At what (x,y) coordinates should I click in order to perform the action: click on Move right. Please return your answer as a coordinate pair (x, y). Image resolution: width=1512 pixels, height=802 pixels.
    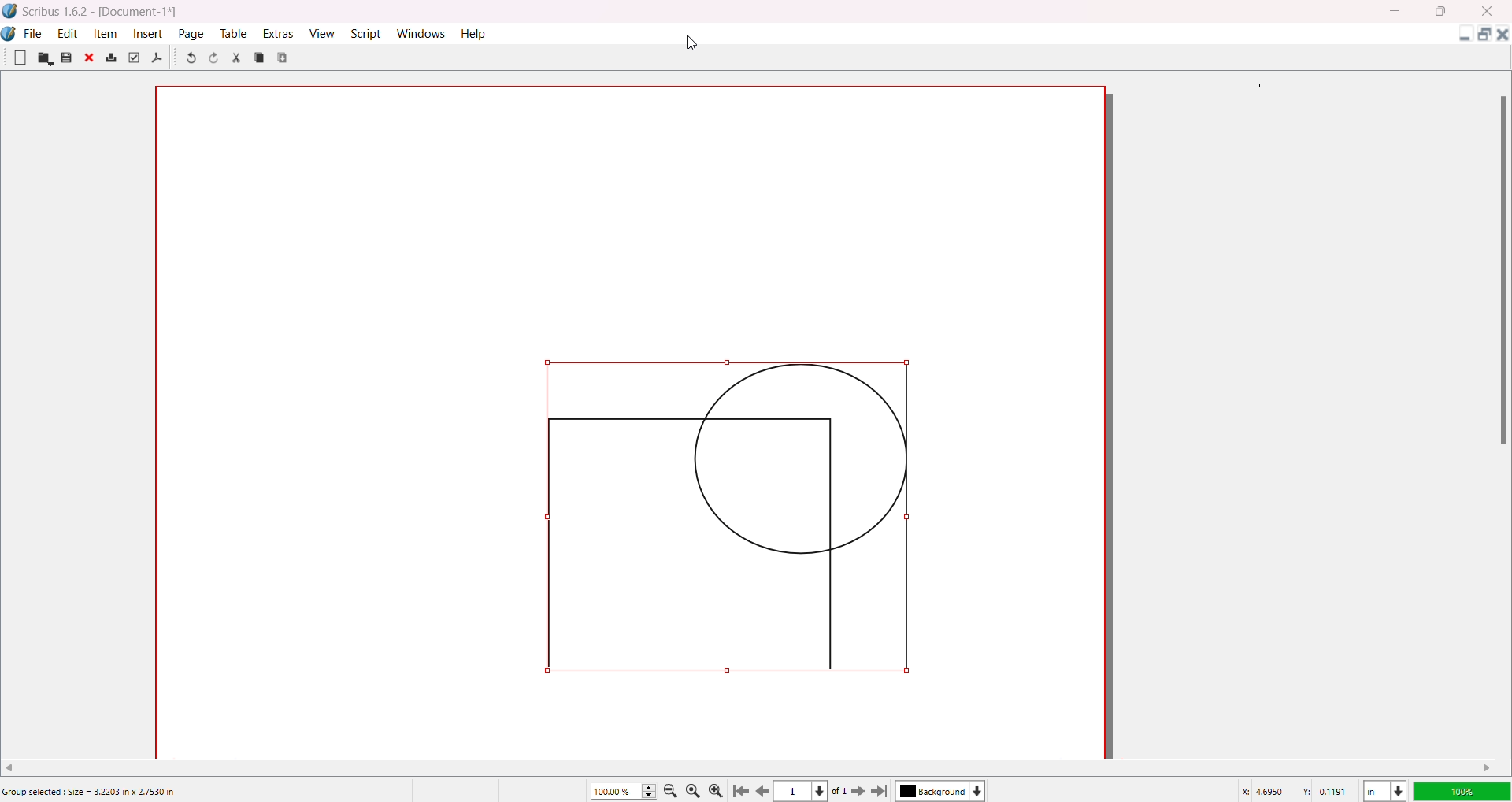
    Looking at the image, I should click on (1488, 767).